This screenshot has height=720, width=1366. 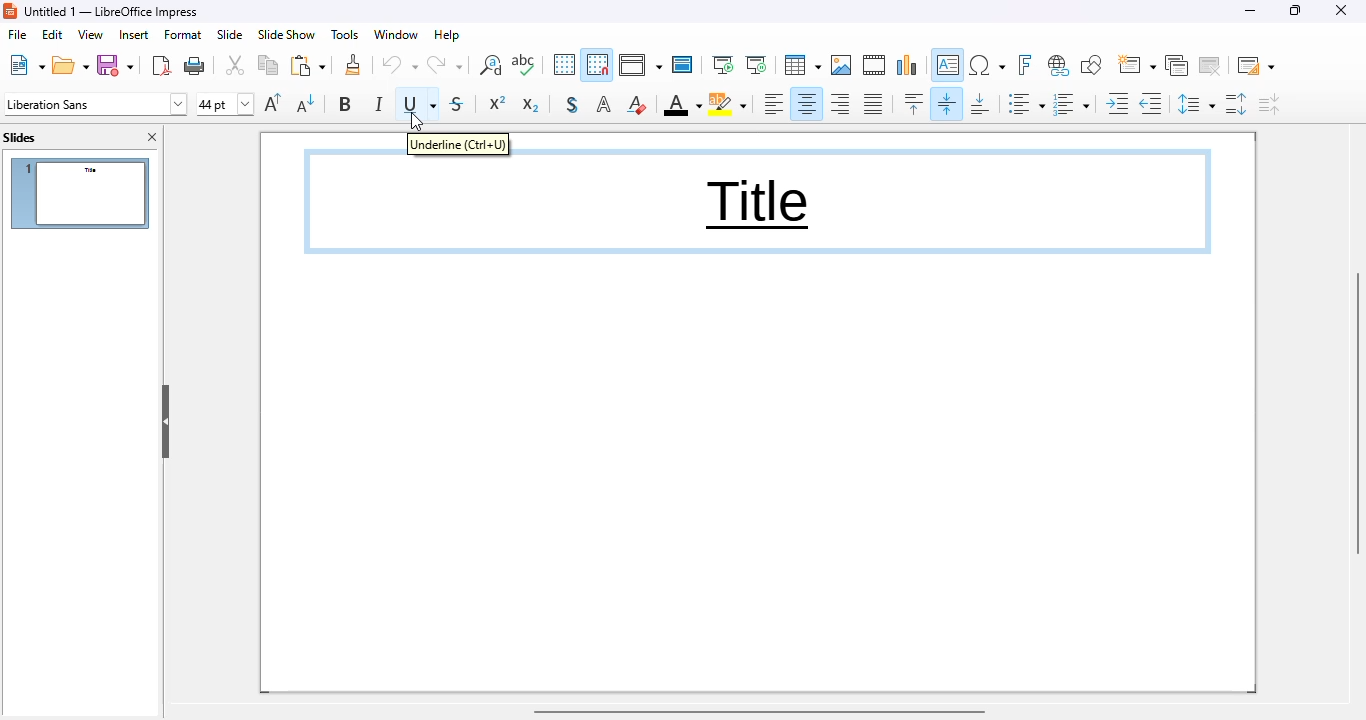 I want to click on duplicate slide, so click(x=1177, y=65).